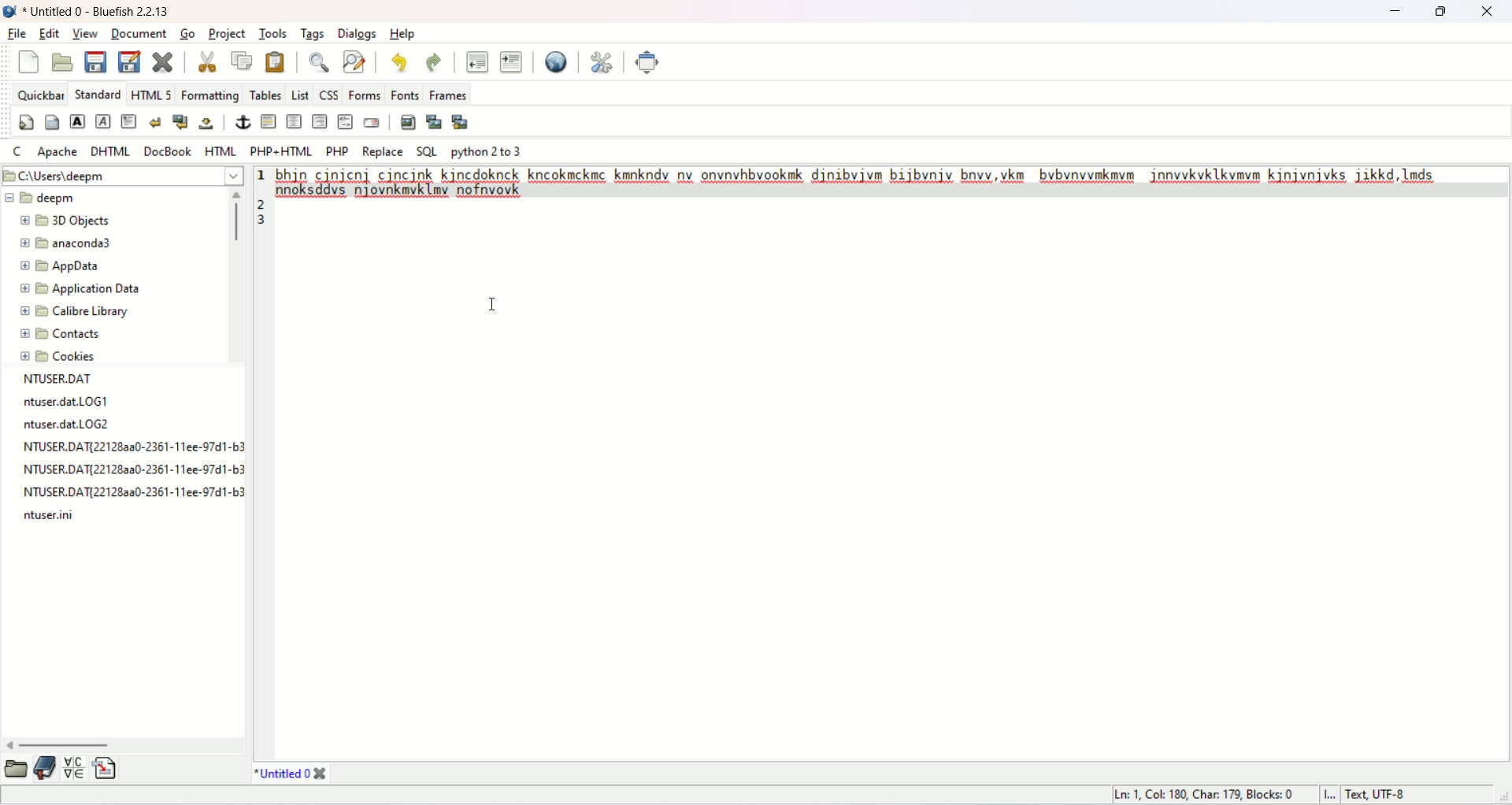 The height and width of the screenshot is (805, 1512). I want to click on contacts, so click(59, 331).